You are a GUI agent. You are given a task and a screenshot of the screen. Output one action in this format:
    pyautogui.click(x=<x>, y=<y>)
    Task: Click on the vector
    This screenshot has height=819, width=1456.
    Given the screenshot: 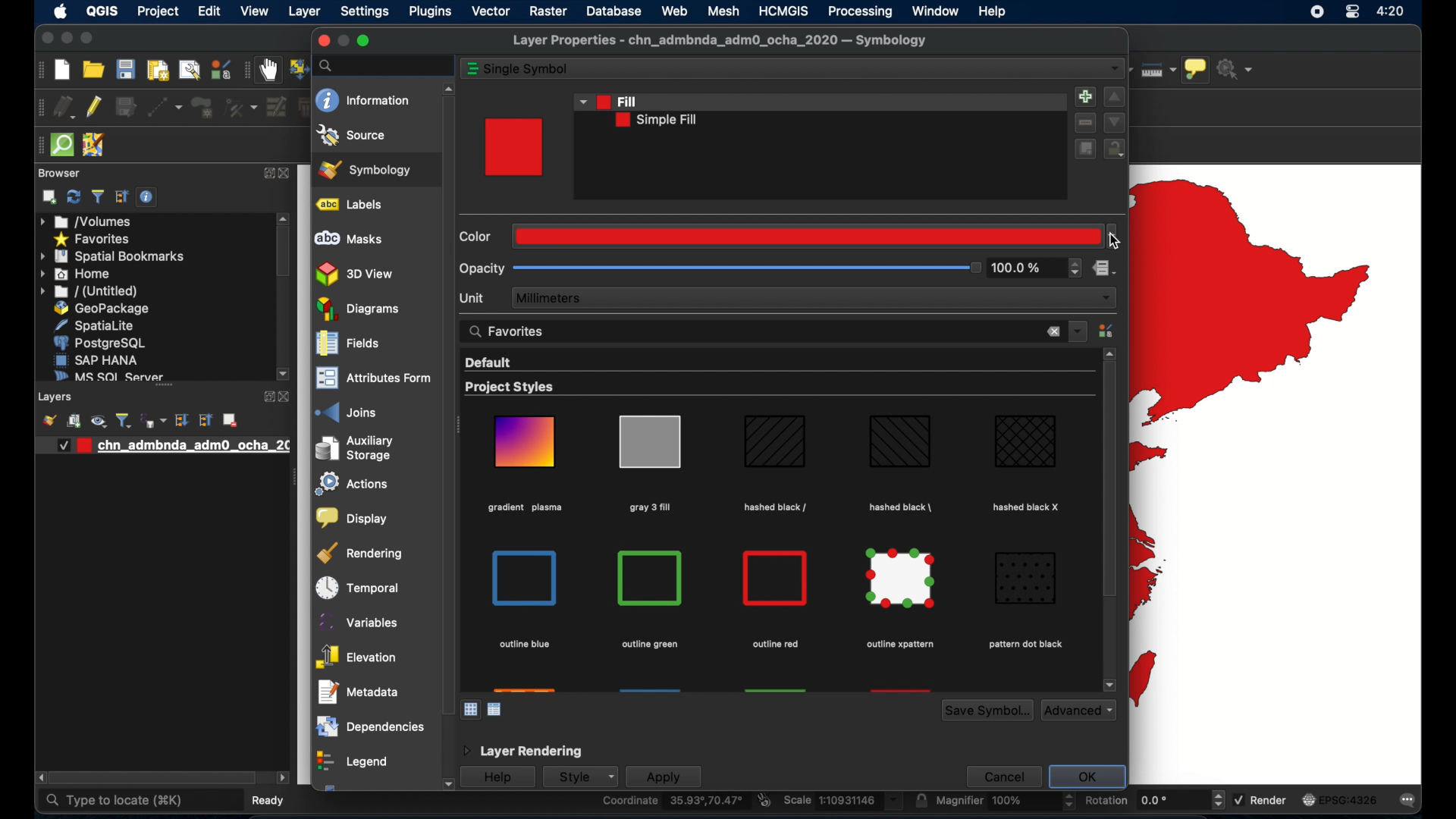 What is the action you would take?
    pyautogui.click(x=491, y=11)
    